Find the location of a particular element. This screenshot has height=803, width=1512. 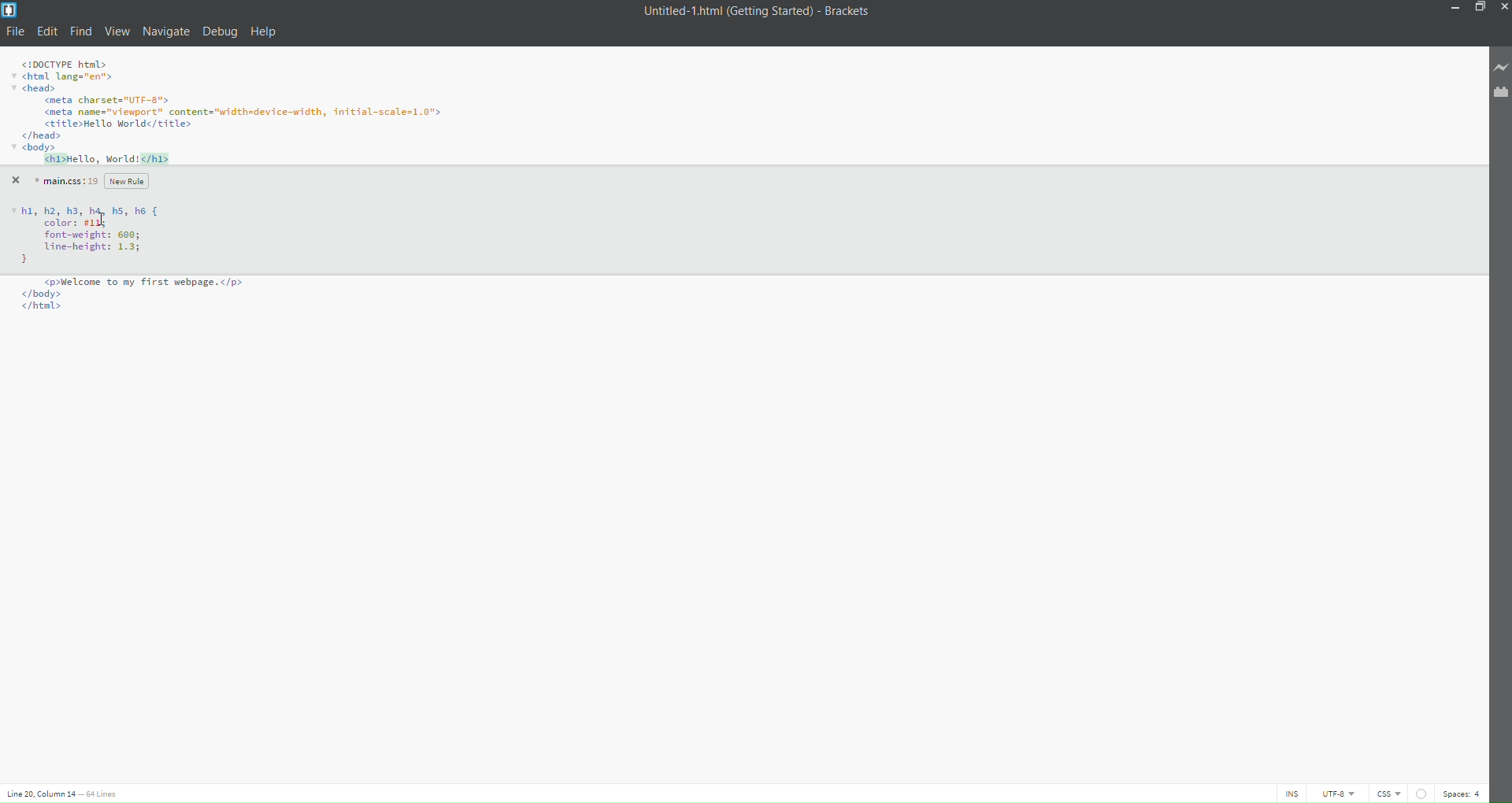

help is located at coordinates (266, 32).